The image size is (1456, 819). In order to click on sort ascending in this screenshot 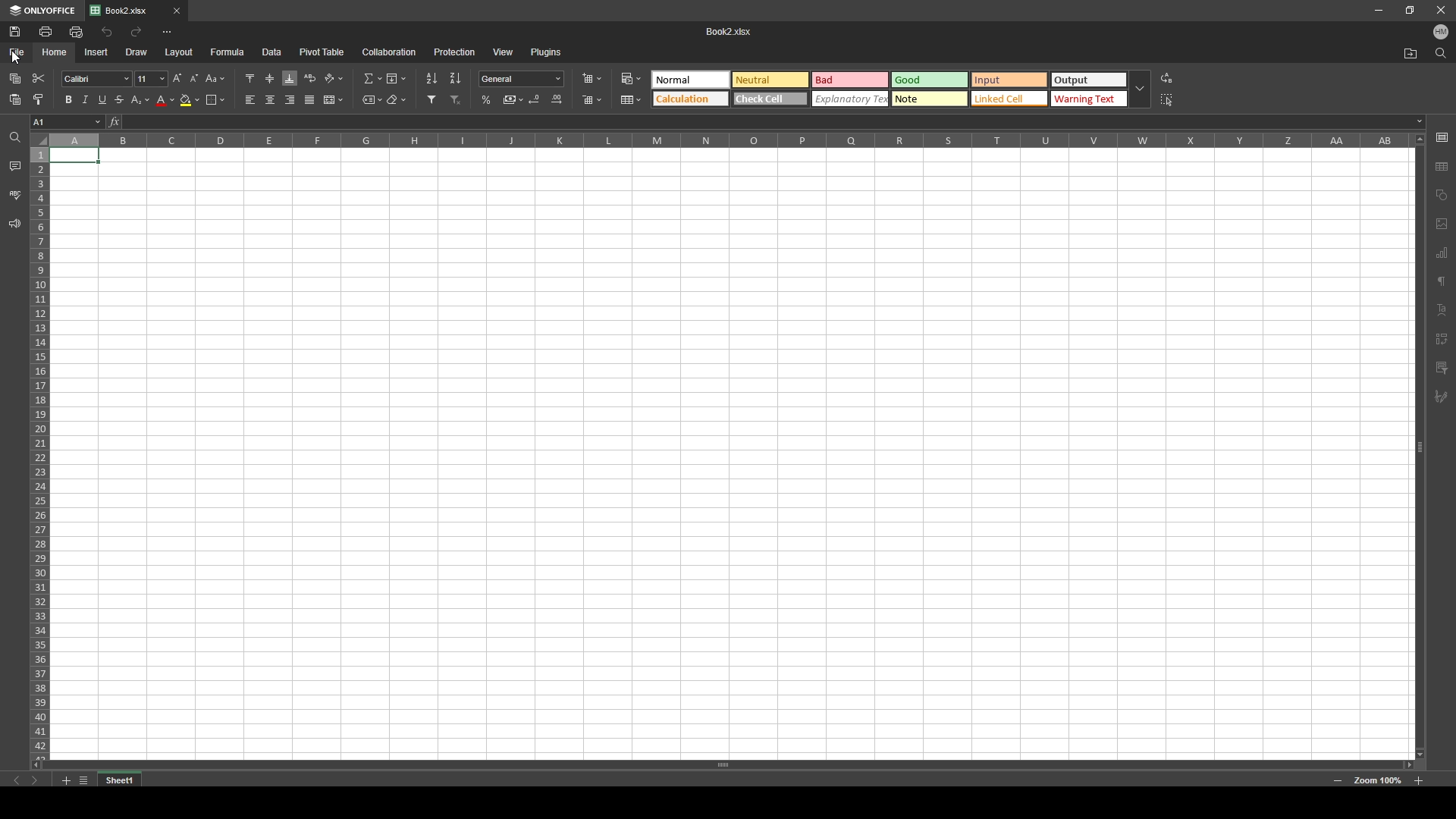, I will do `click(431, 79)`.